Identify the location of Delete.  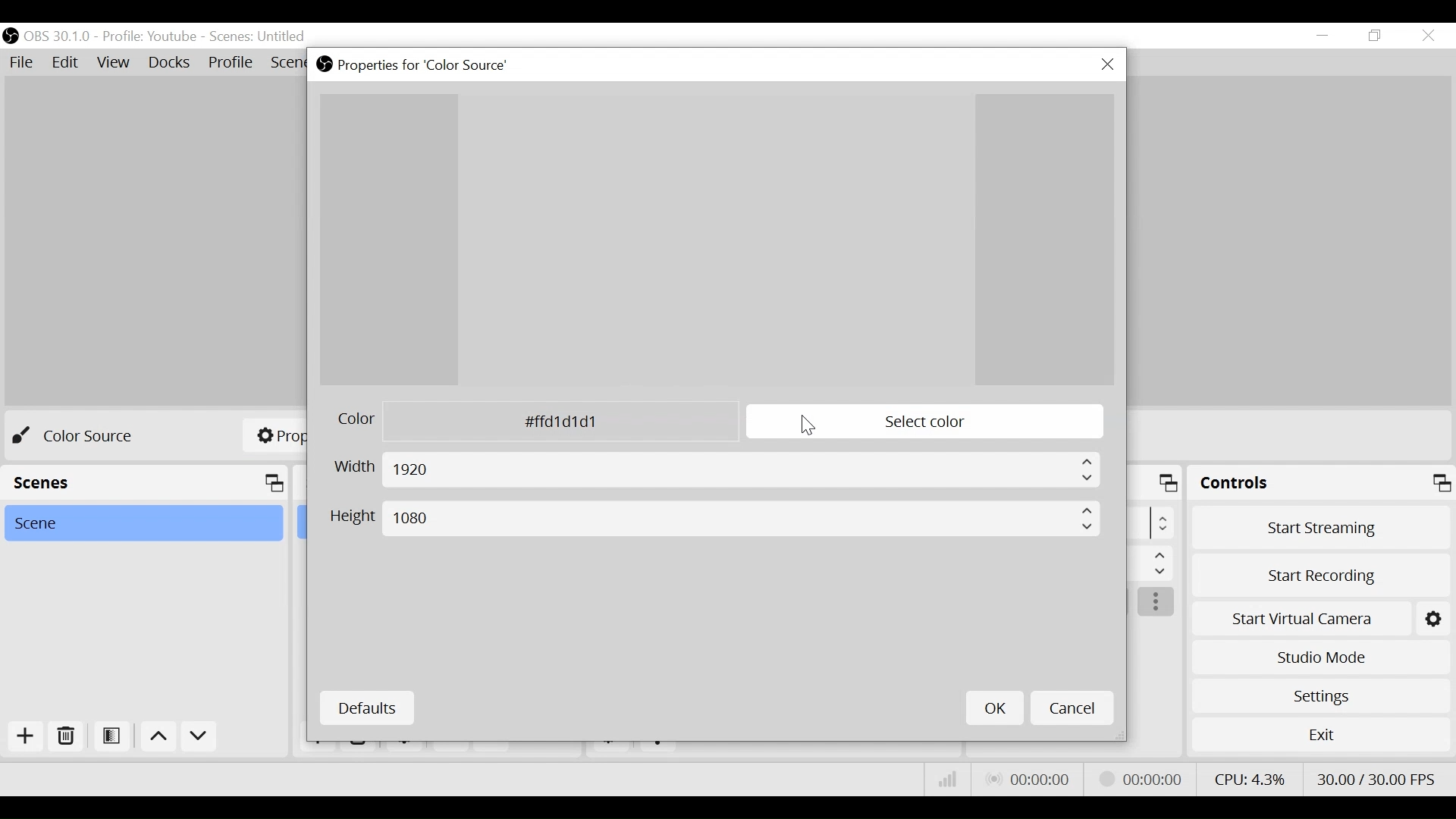
(67, 736).